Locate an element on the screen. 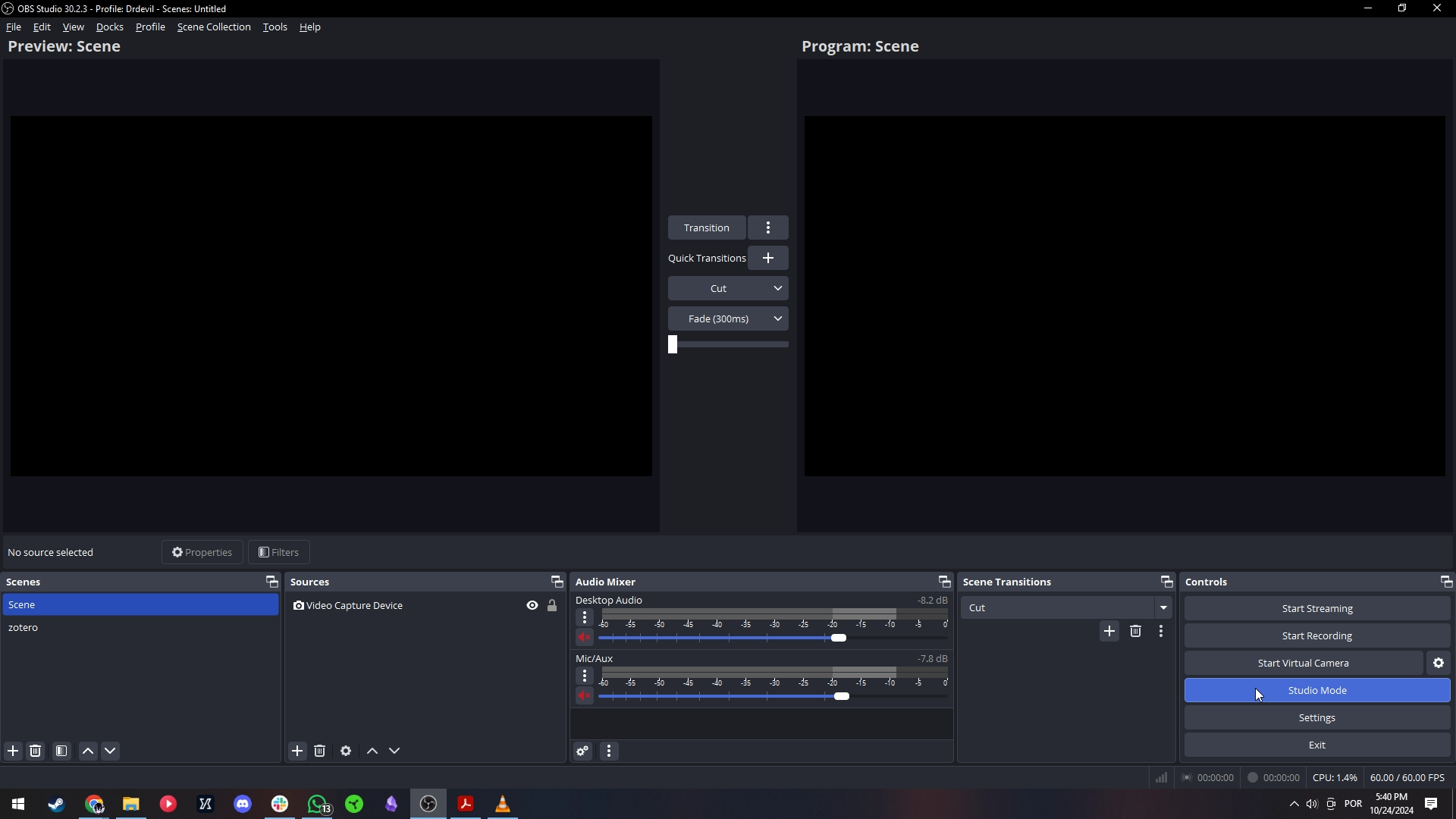 This screenshot has height=819, width=1456. Docks is located at coordinates (111, 27).